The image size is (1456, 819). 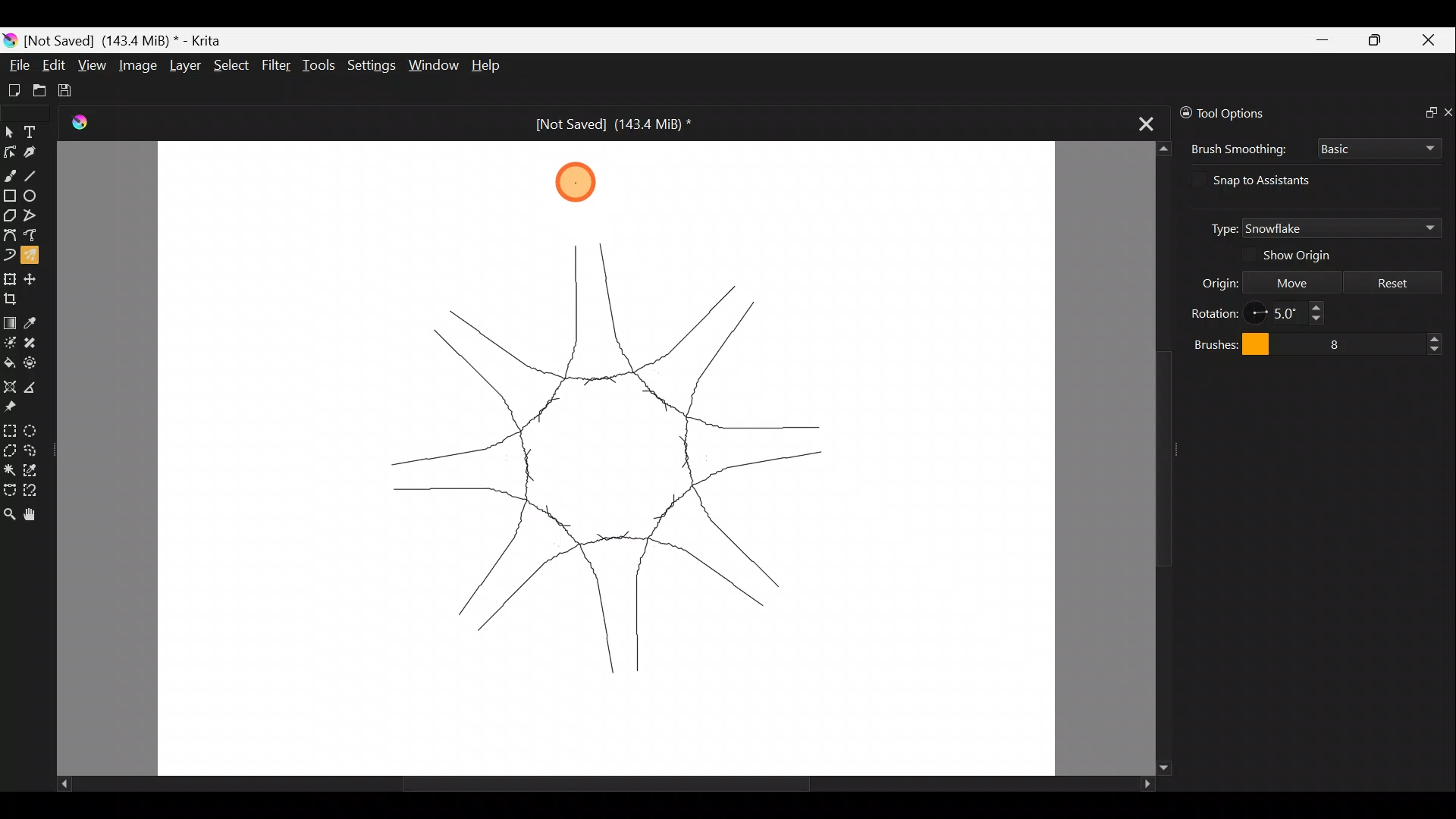 I want to click on Contiguous selection tool, so click(x=9, y=467).